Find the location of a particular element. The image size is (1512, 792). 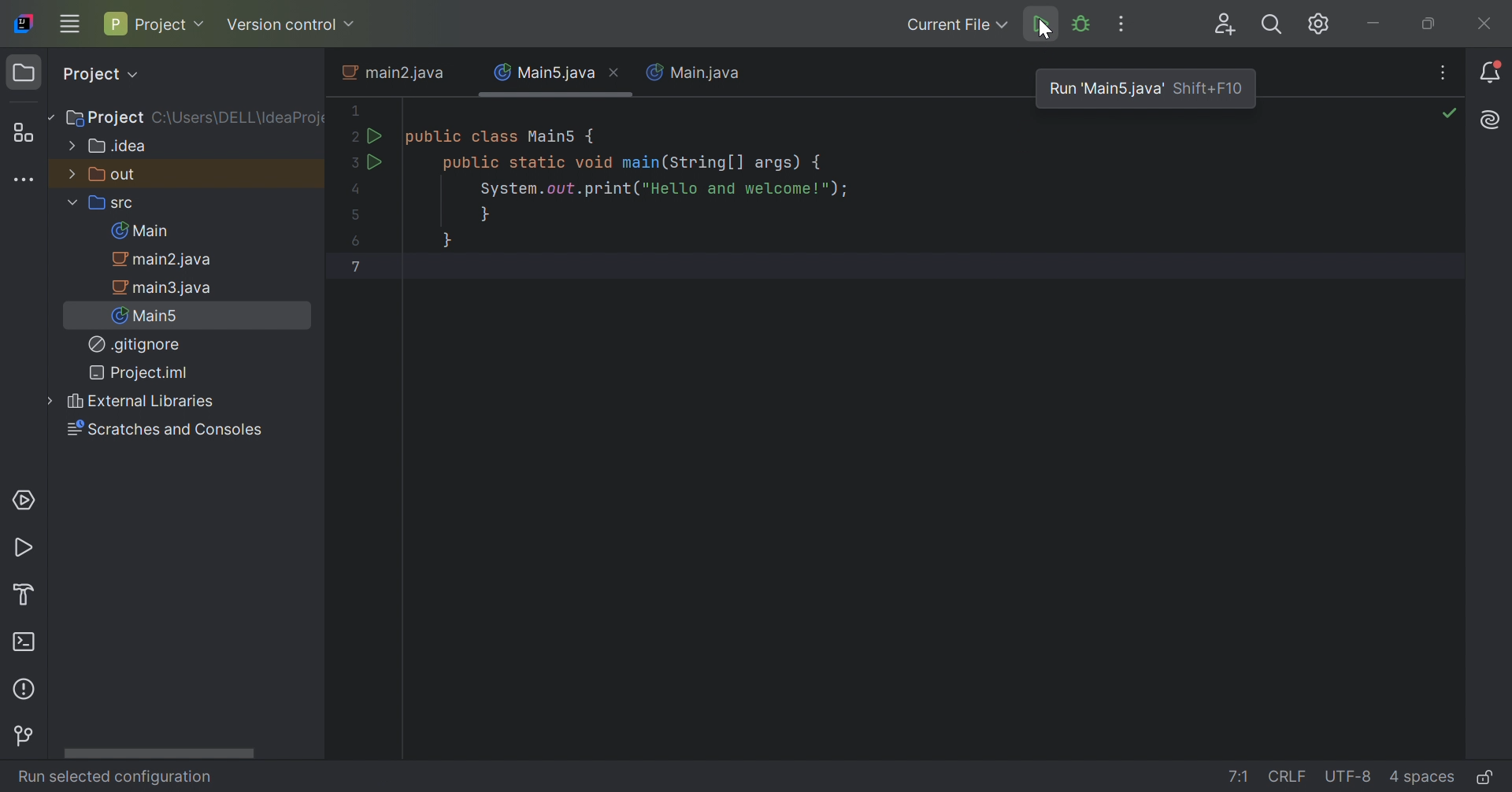

7 is located at coordinates (358, 266).